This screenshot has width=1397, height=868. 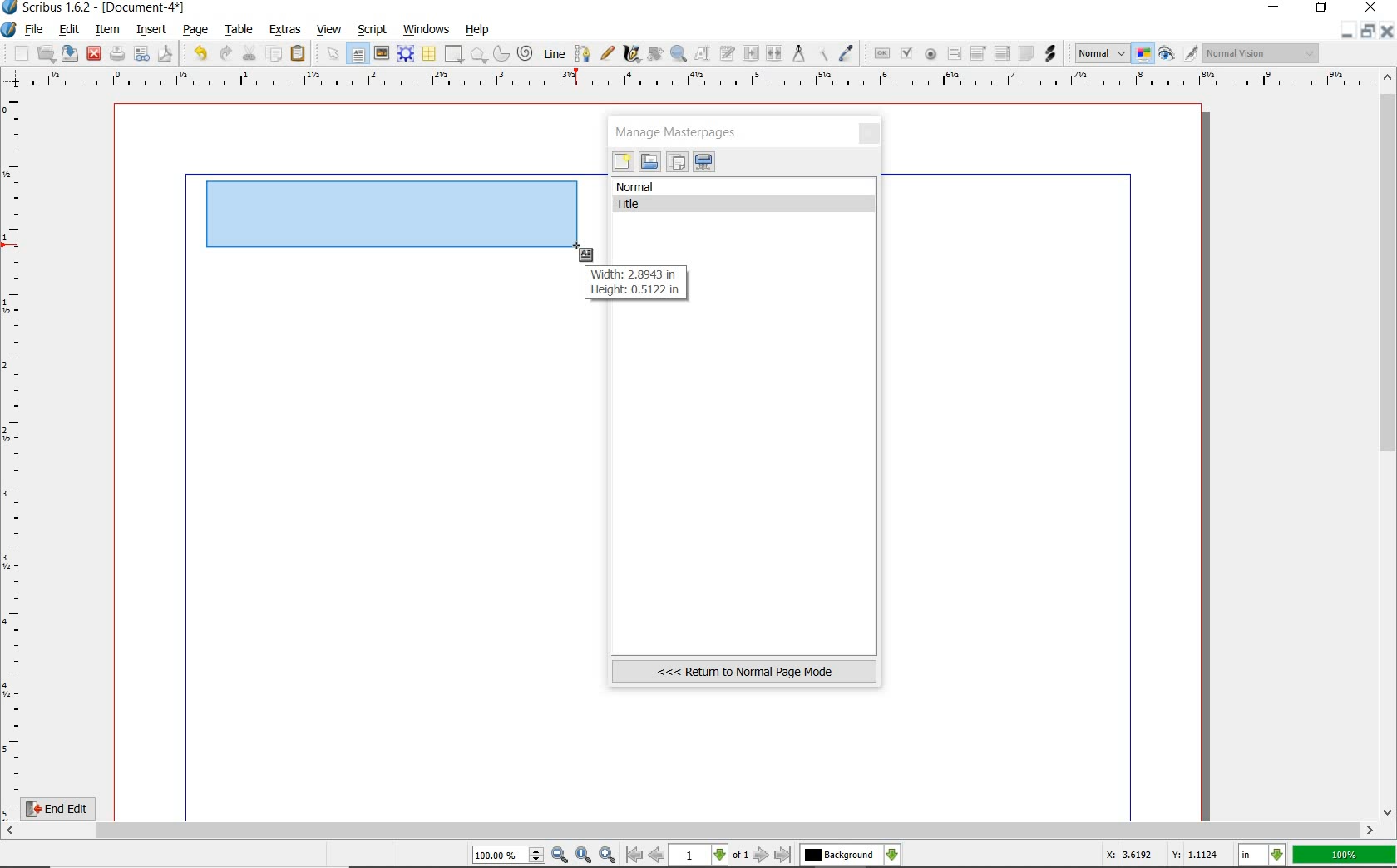 I want to click on new, so click(x=16, y=53).